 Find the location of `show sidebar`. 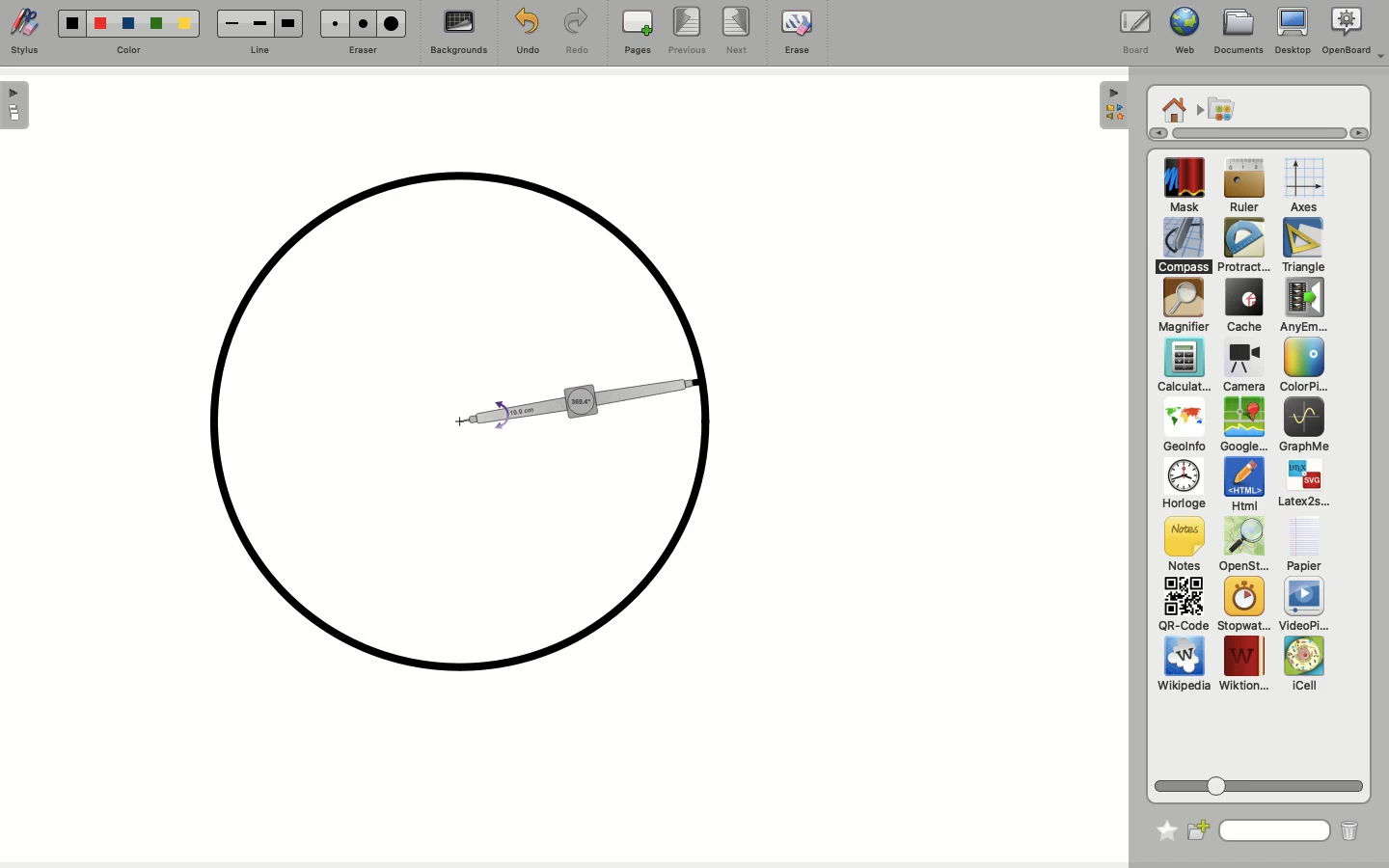

show sidebar is located at coordinates (16, 105).